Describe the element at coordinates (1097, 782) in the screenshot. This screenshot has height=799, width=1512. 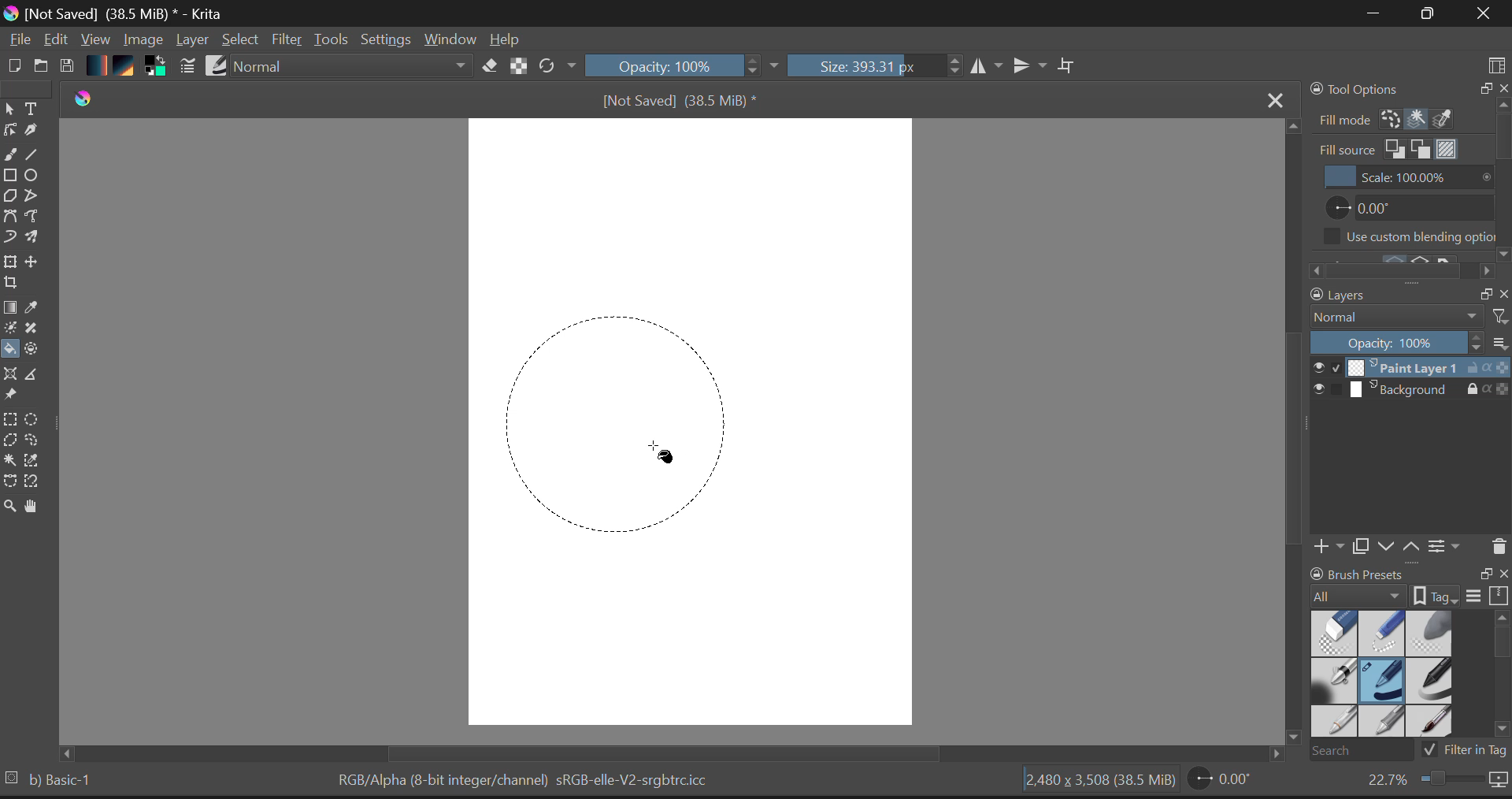
I see `Document Dimensions` at that location.